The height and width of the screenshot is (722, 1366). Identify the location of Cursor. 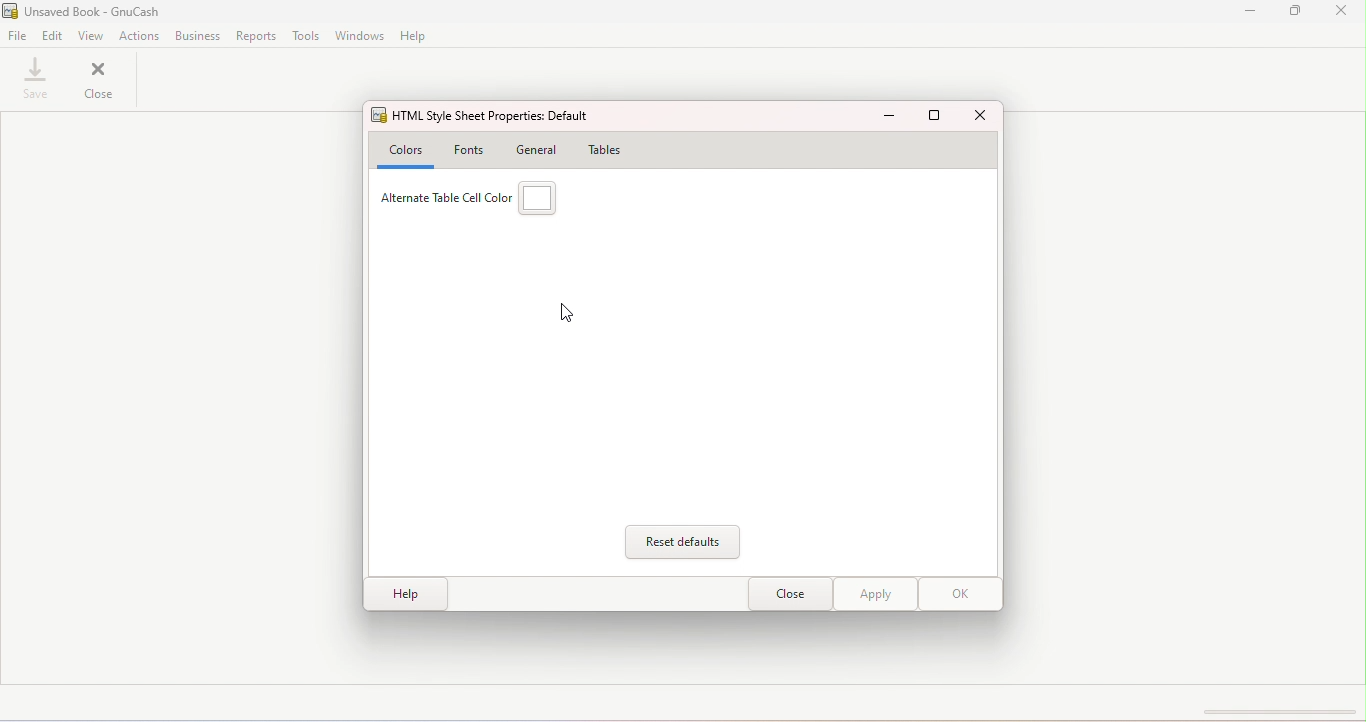
(564, 314).